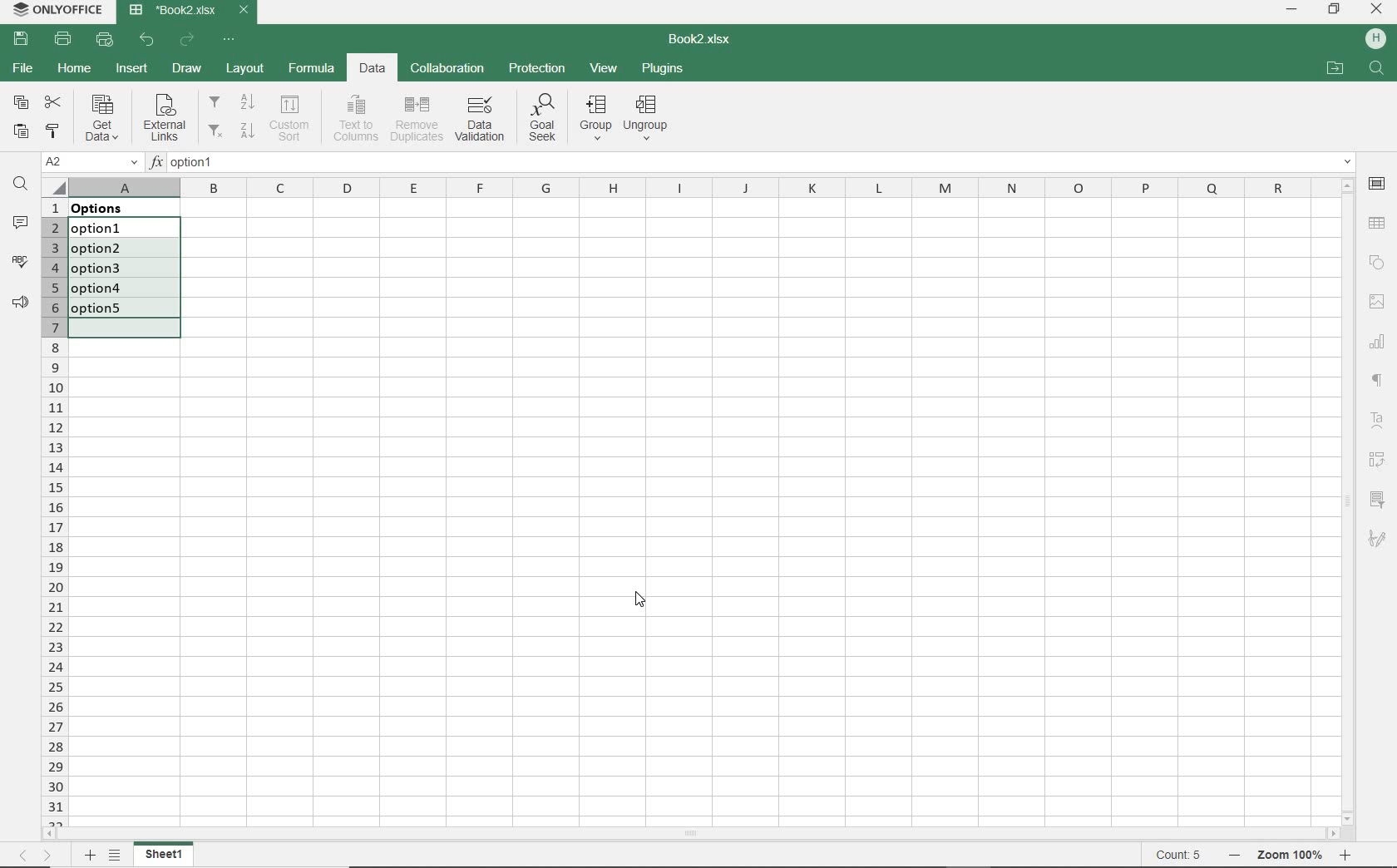 The image size is (1397, 868). I want to click on Text, so click(1377, 421).